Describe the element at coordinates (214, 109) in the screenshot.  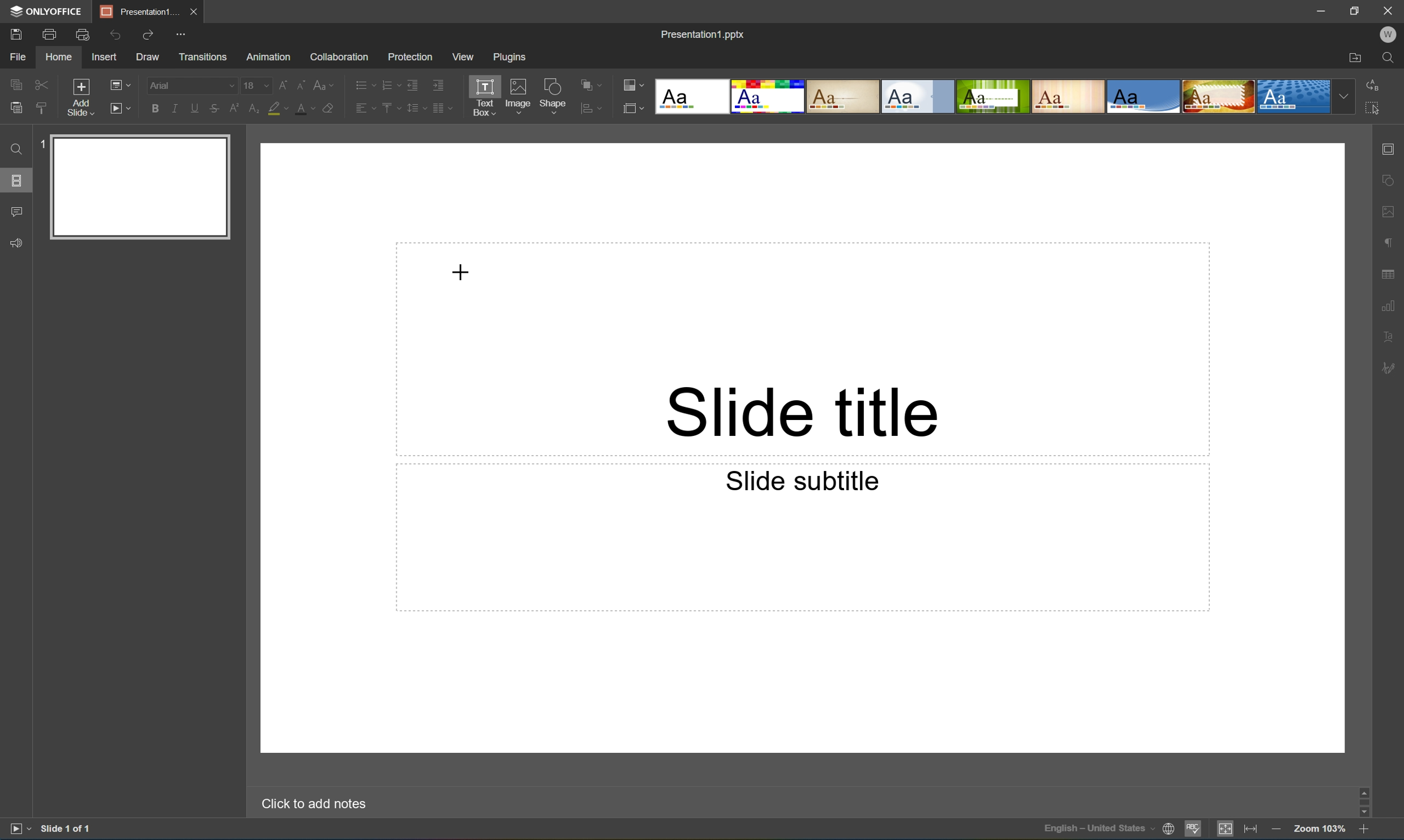
I see `Strikethrough` at that location.